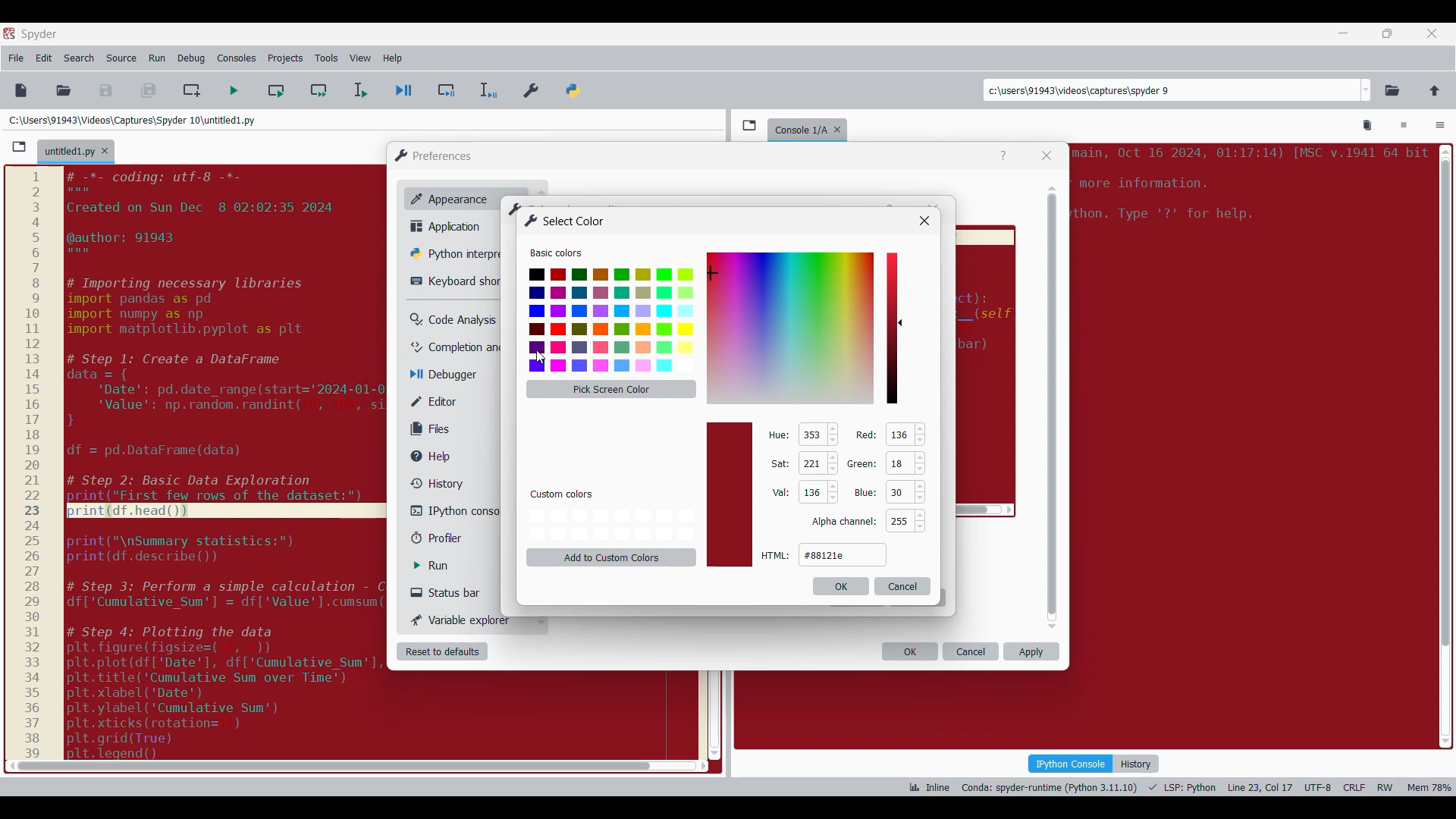 This screenshot has height=819, width=1456. I want to click on code, so click(1247, 190).